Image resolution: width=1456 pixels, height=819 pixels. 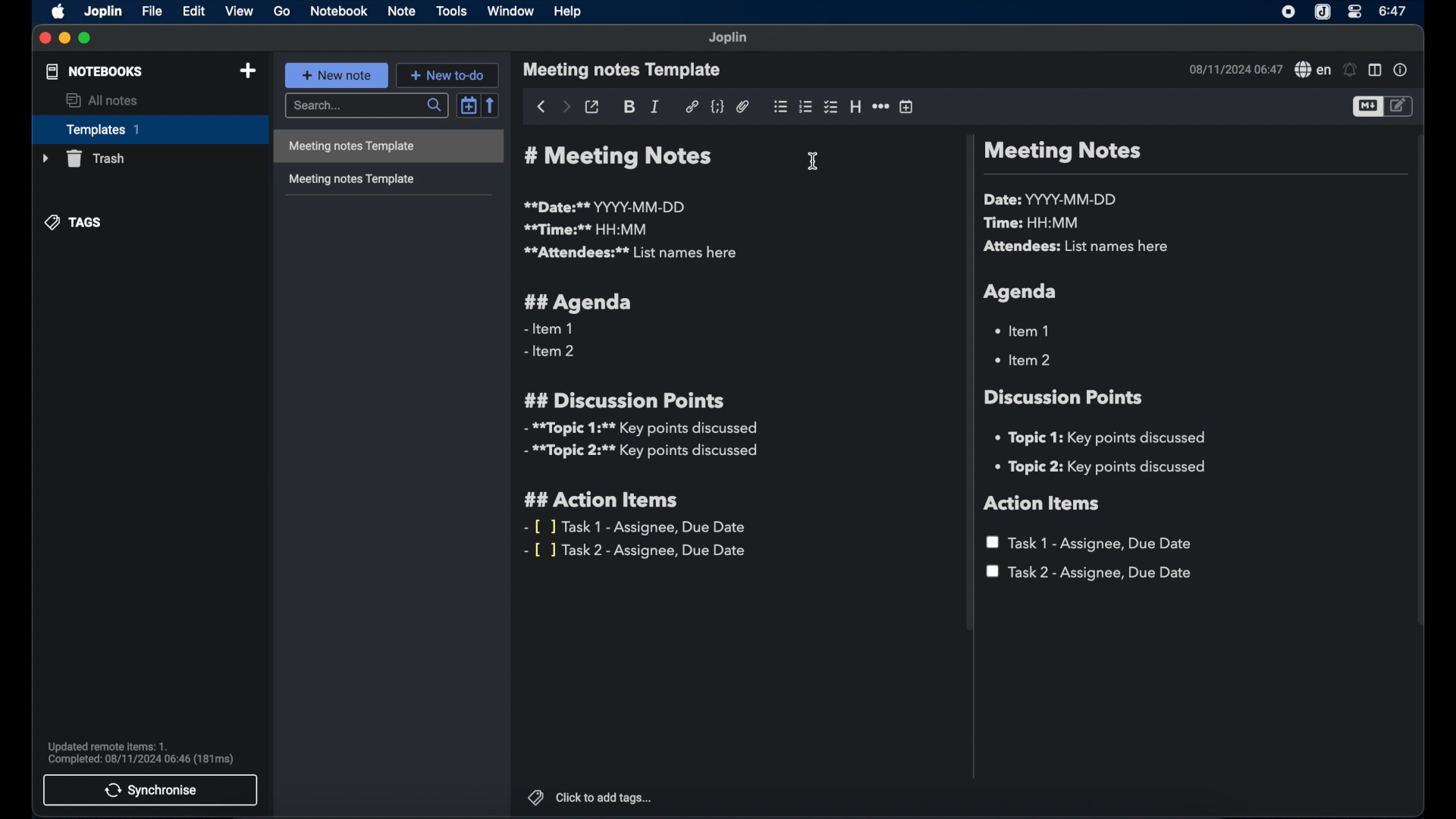 What do you see at coordinates (248, 71) in the screenshot?
I see `add note` at bounding box center [248, 71].